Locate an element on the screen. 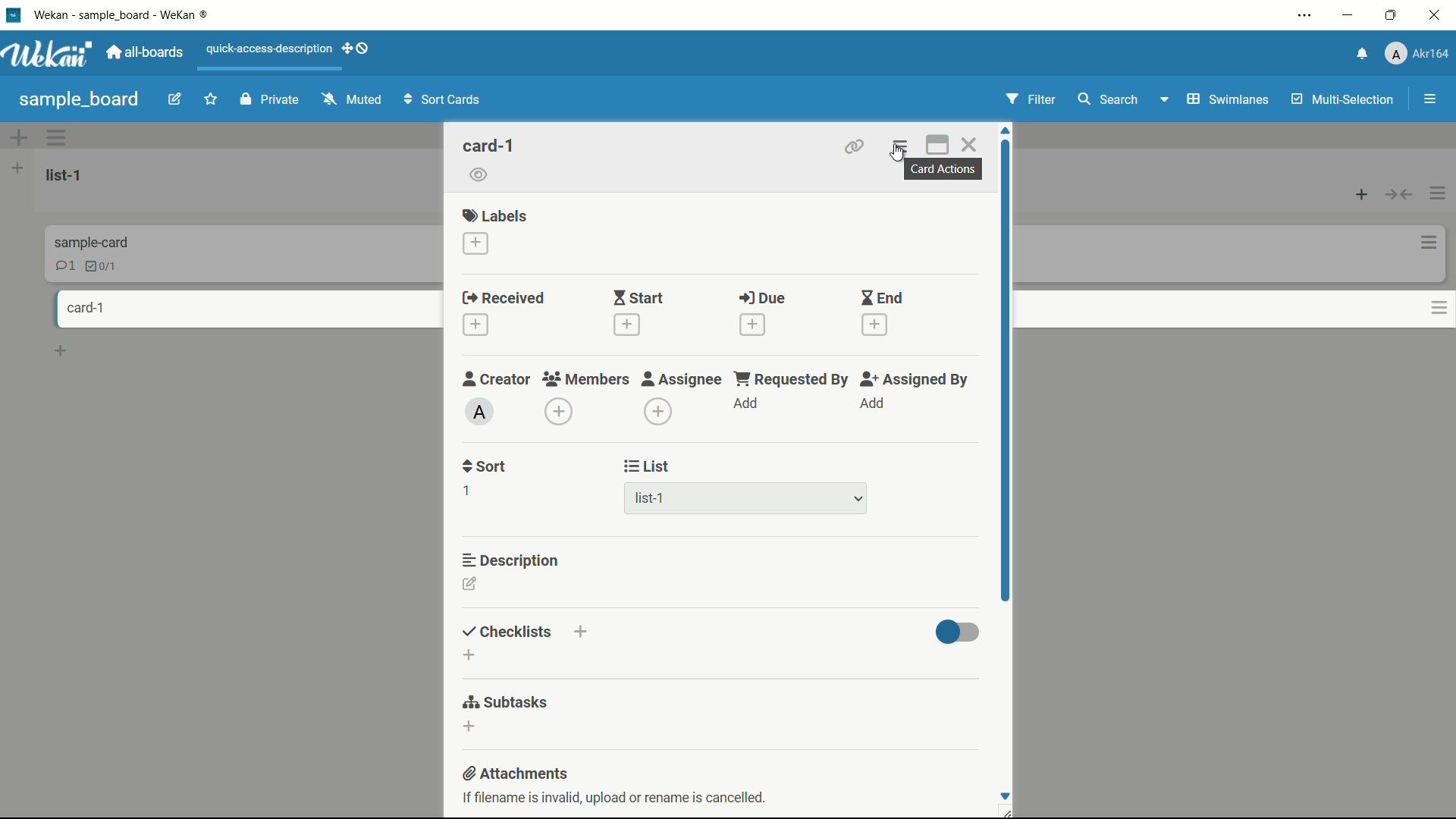 This screenshot has height=819, width=1456. 1 is located at coordinates (466, 489).